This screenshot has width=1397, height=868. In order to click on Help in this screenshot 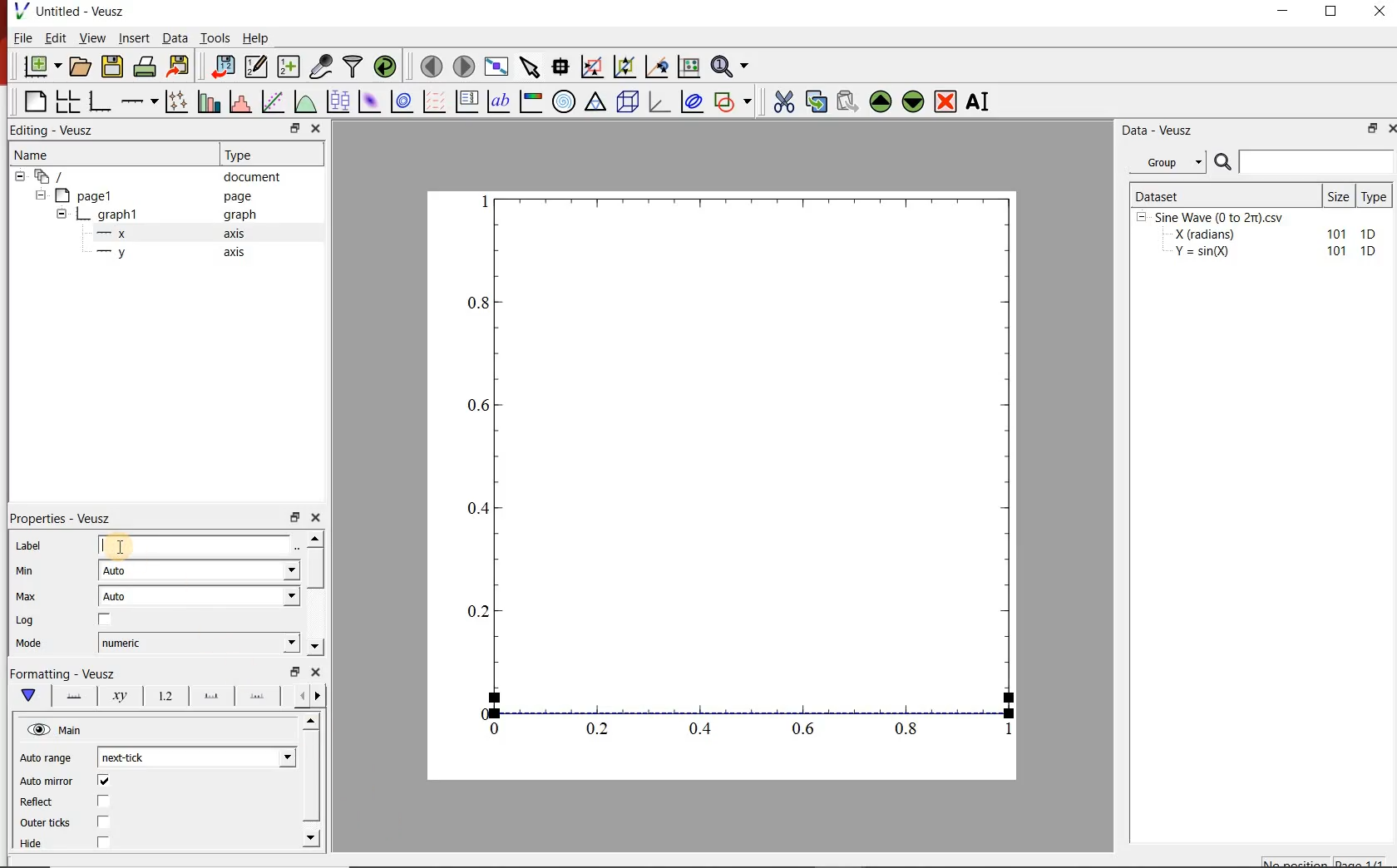, I will do `click(255, 38)`.